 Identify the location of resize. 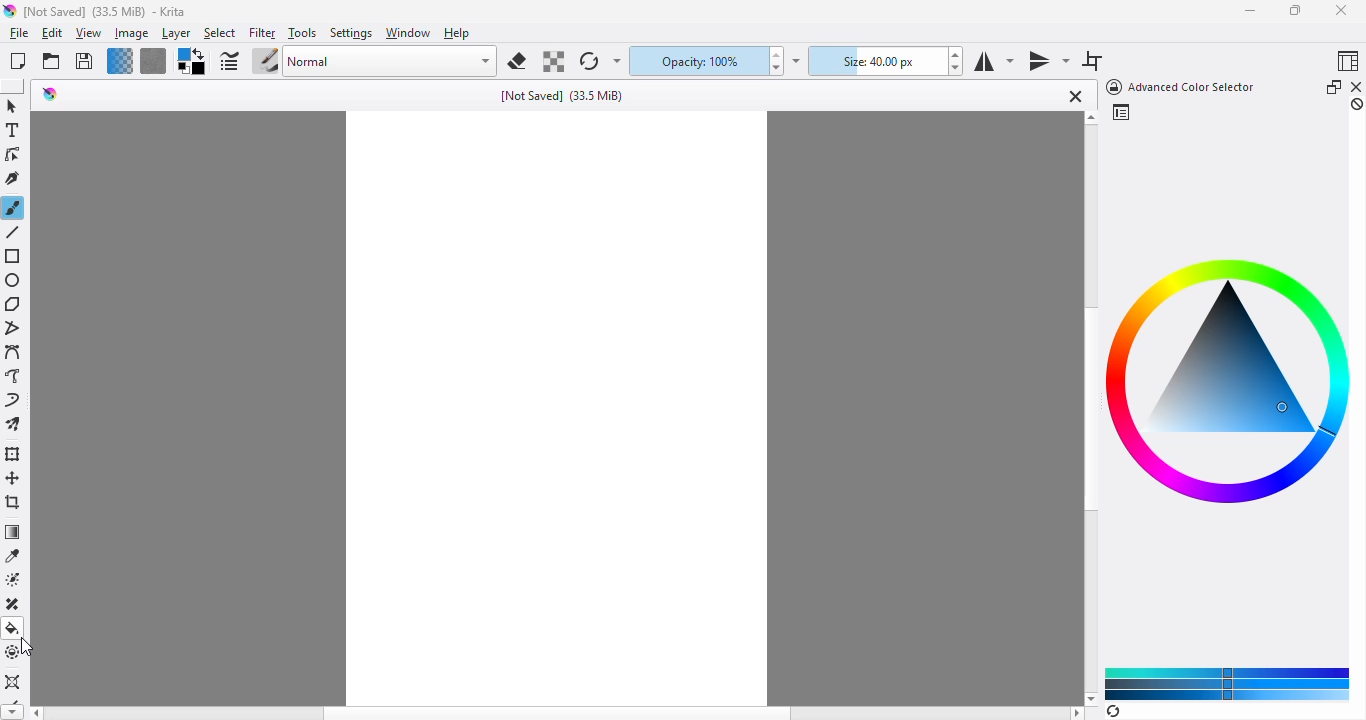
(1294, 9).